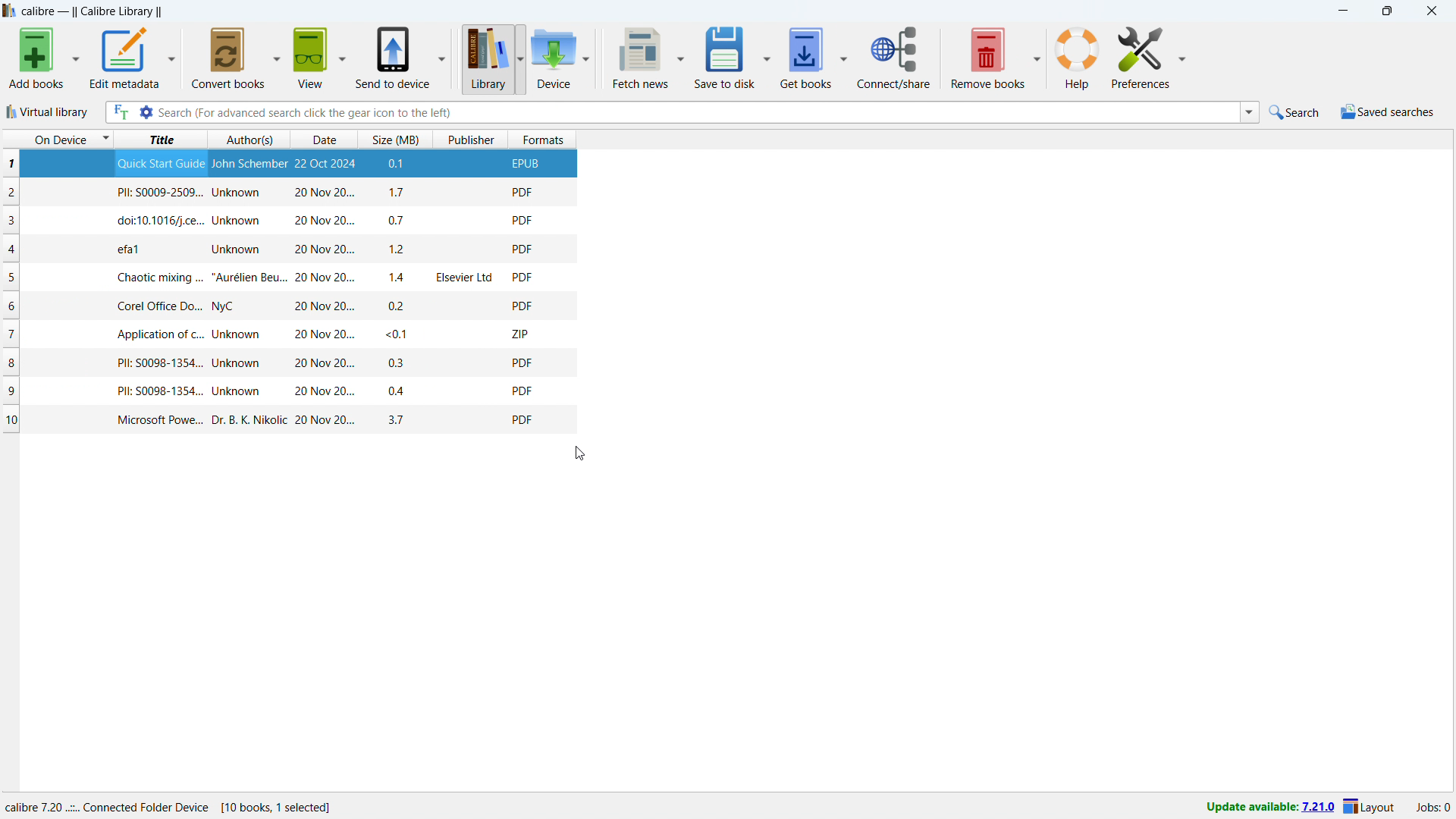 The height and width of the screenshot is (819, 1456). Describe the element at coordinates (225, 58) in the screenshot. I see `convert books` at that location.